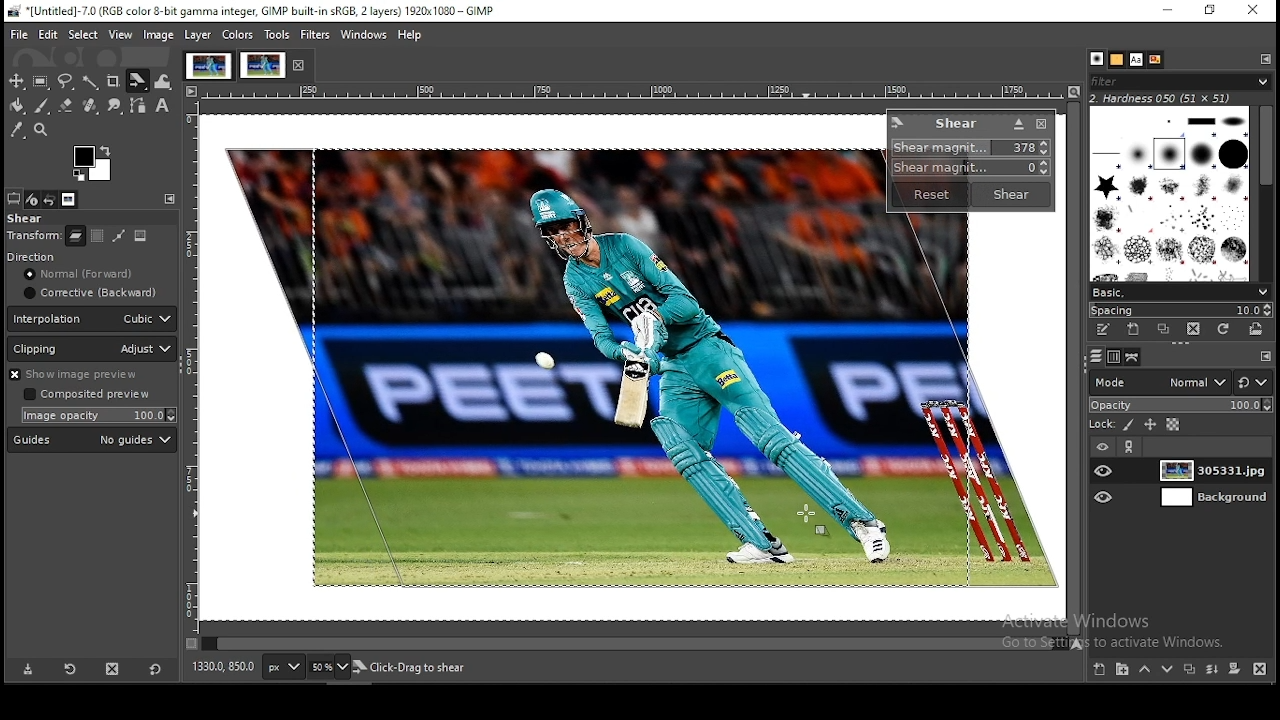  What do you see at coordinates (1207, 499) in the screenshot?
I see `layer 2` at bounding box center [1207, 499].